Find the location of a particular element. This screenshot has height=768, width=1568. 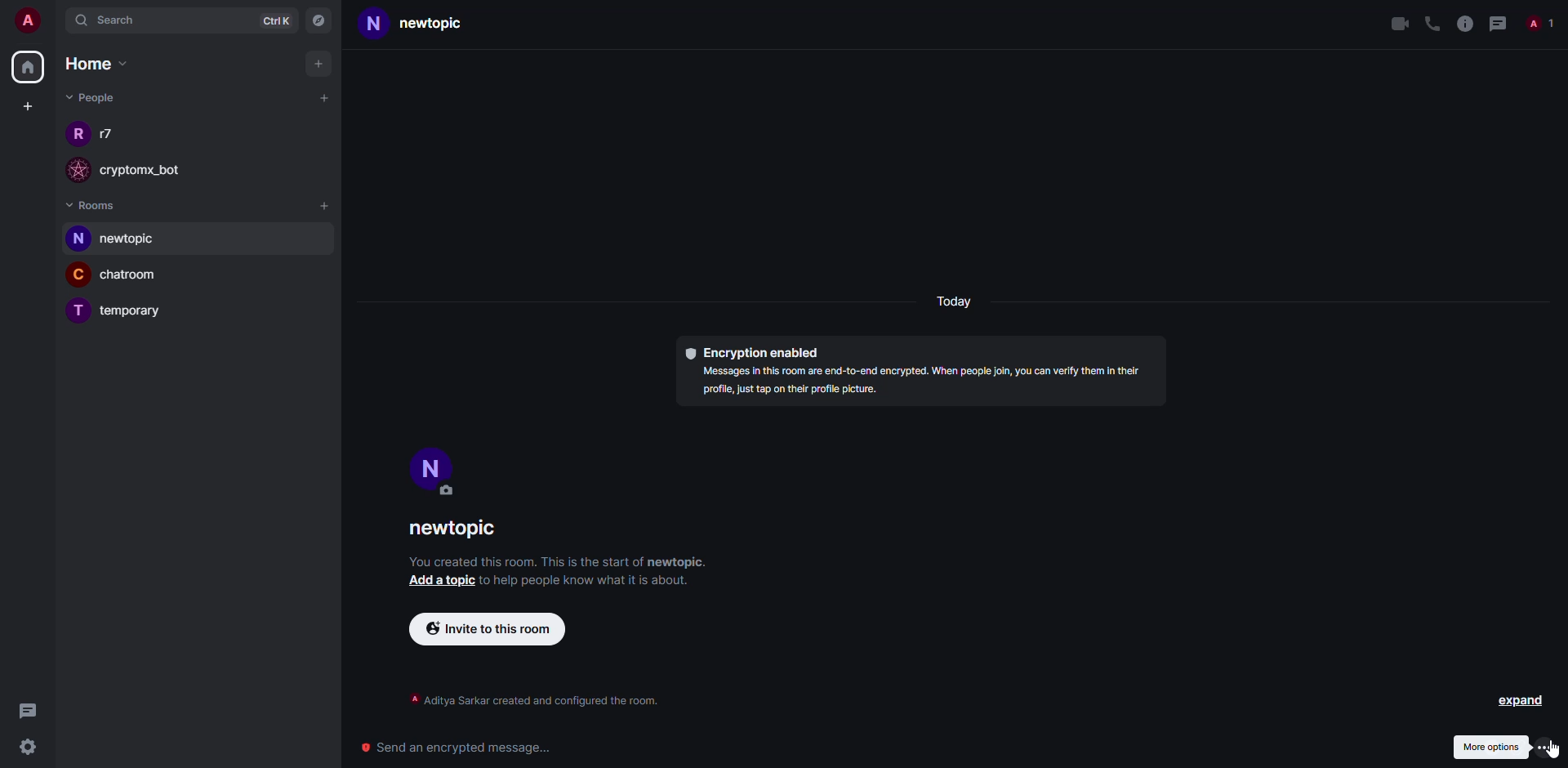

add is located at coordinates (326, 208).